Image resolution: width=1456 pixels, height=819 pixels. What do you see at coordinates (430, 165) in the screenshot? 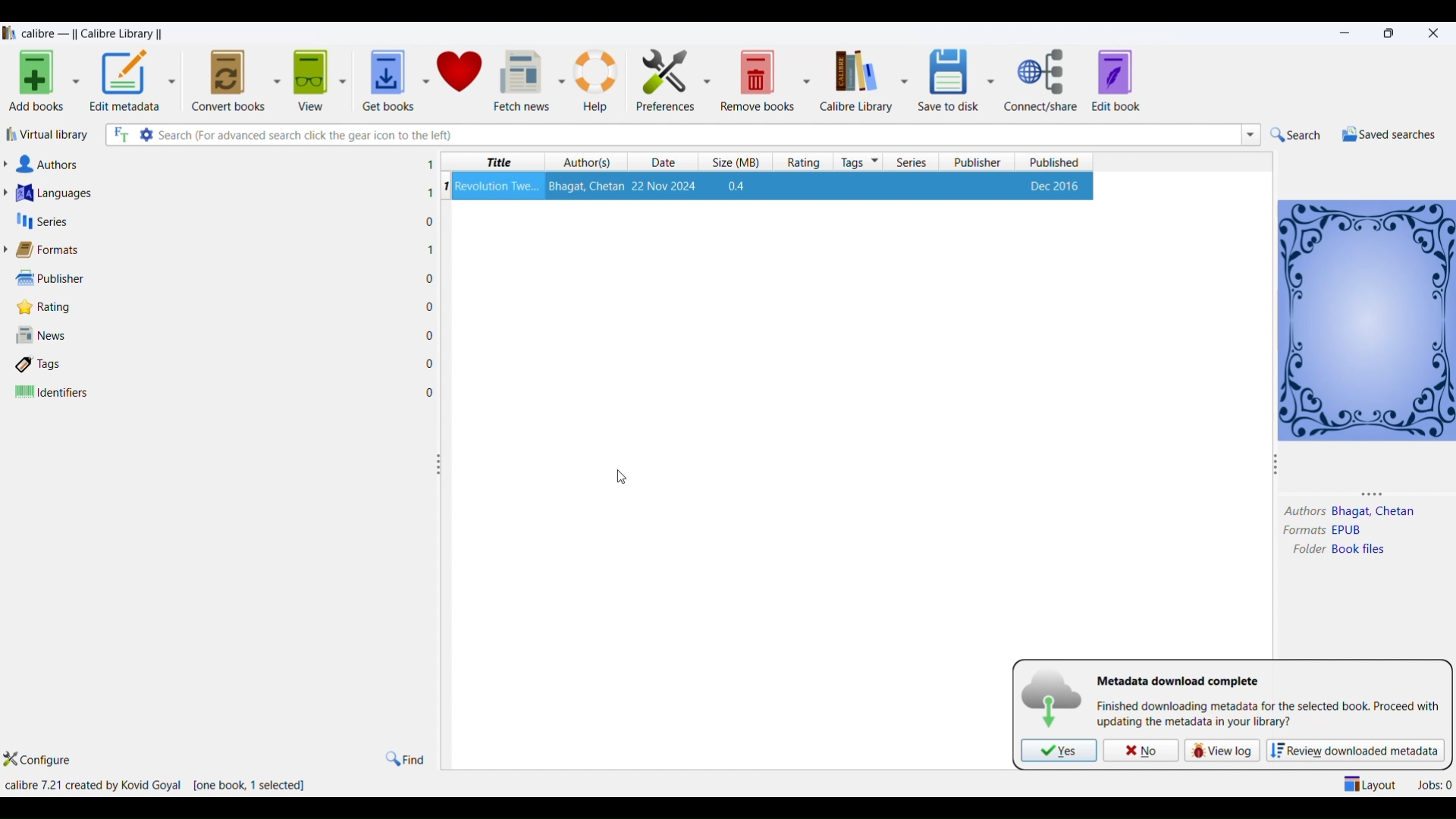
I see `1` at bounding box center [430, 165].